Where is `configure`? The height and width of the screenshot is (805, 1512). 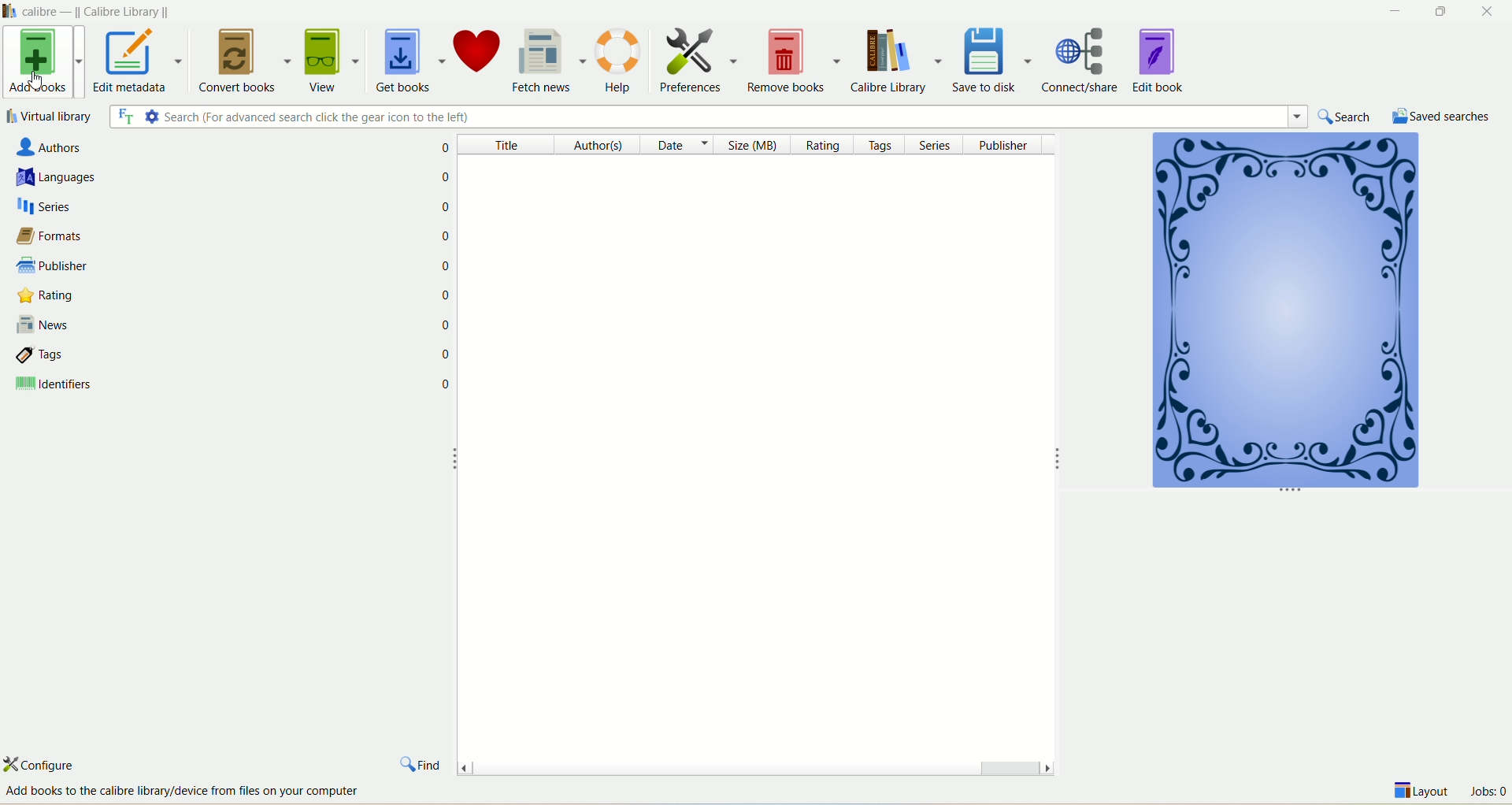 configure is located at coordinates (53, 765).